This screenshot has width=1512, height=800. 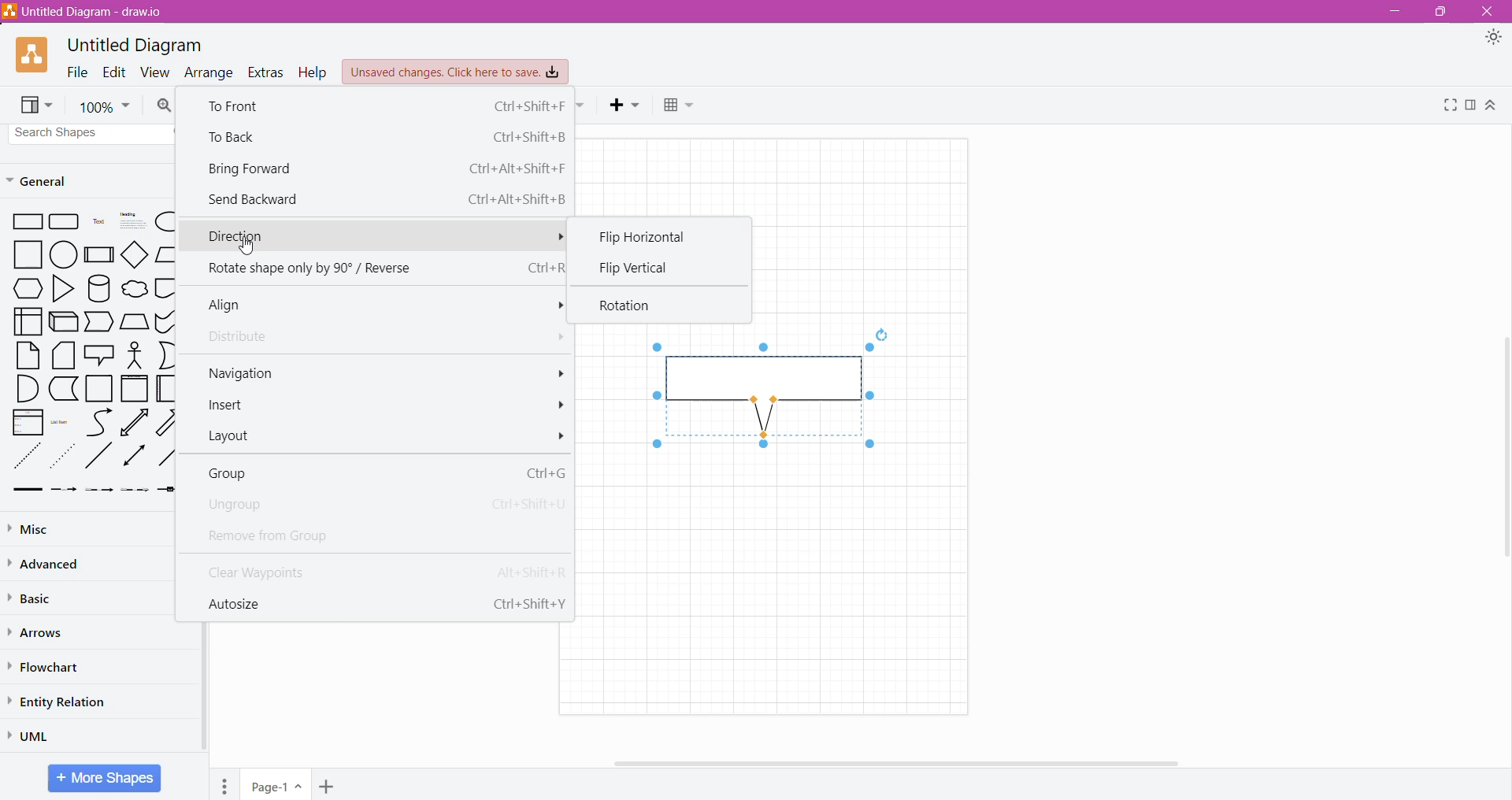 I want to click on Stick Figure, so click(x=135, y=354).